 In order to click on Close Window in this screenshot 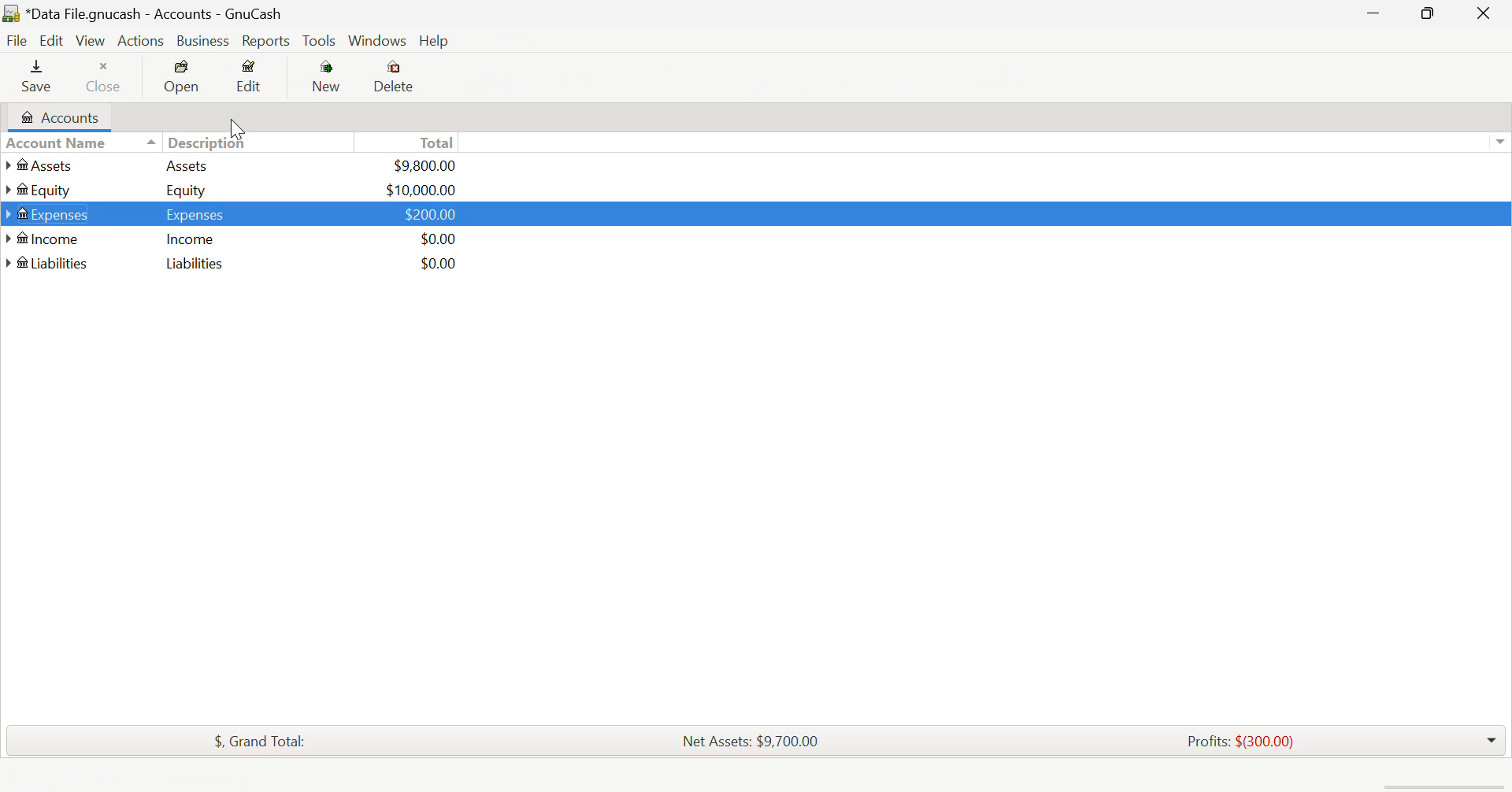, I will do `click(1485, 13)`.